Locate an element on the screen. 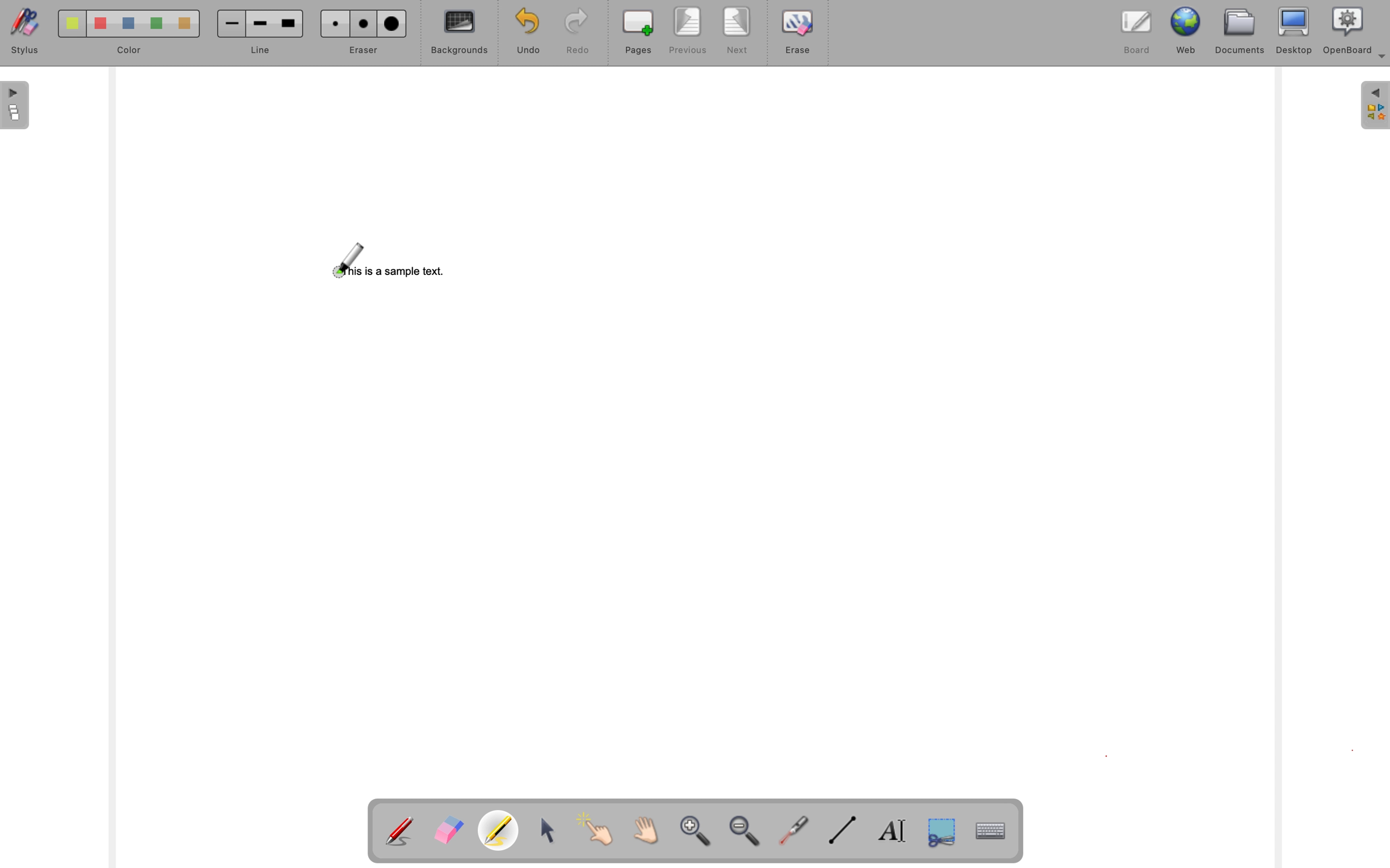 The height and width of the screenshot is (868, 1390). undo is located at coordinates (524, 32).